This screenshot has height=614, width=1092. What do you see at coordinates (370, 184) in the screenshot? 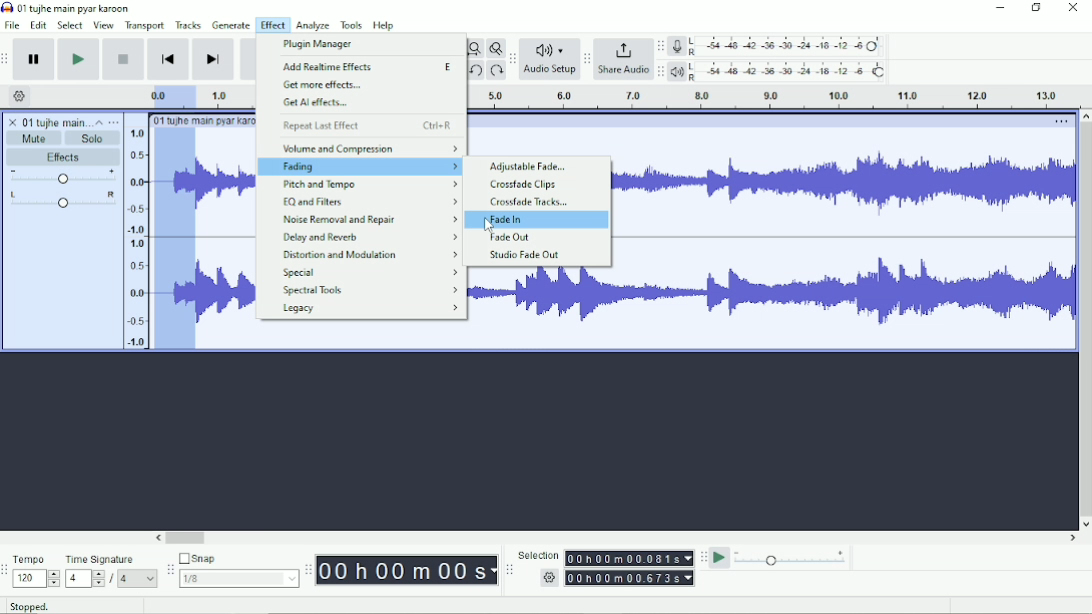
I see `Pitch and Tempo` at bounding box center [370, 184].